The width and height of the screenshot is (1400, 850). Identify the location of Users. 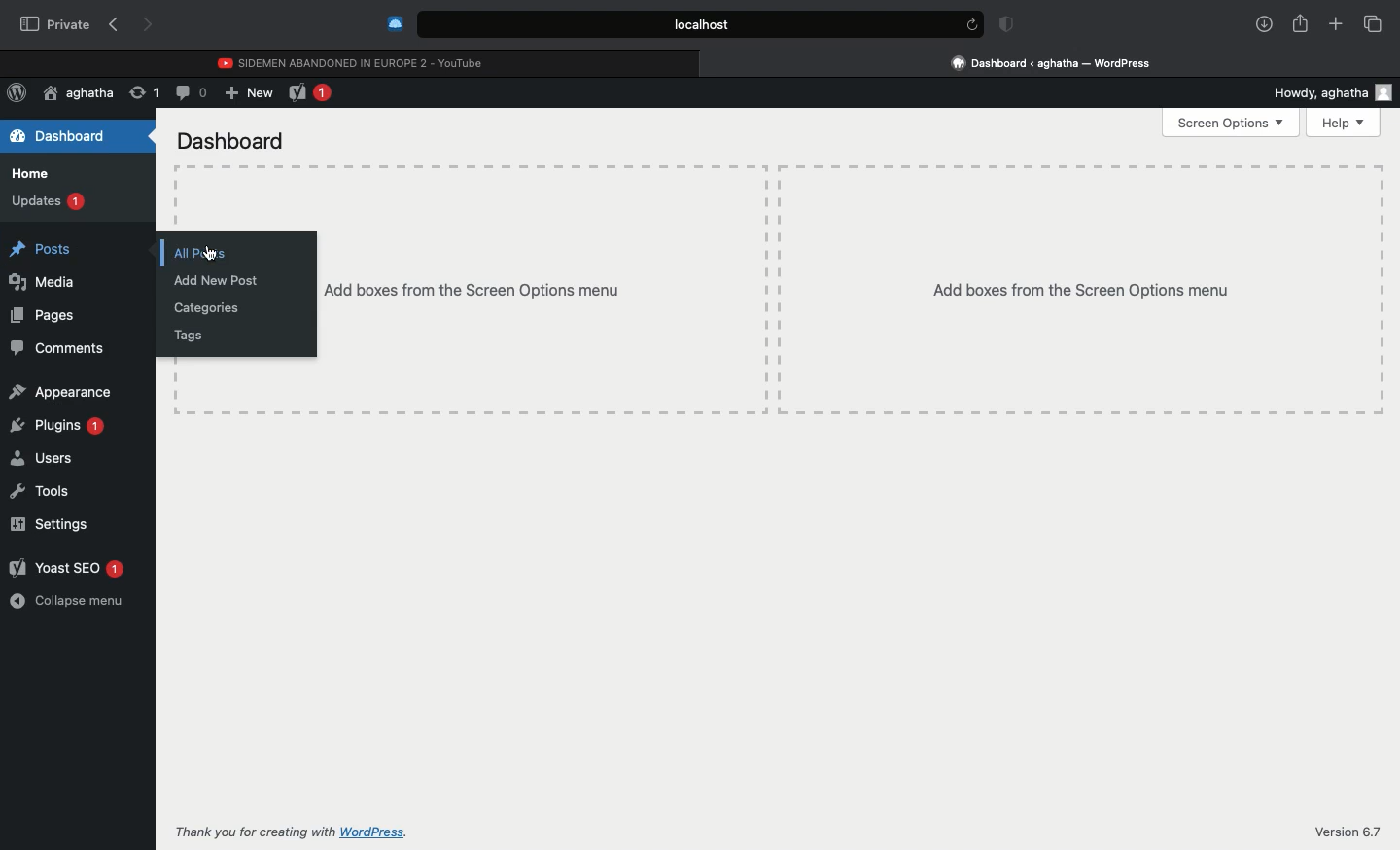
(40, 458).